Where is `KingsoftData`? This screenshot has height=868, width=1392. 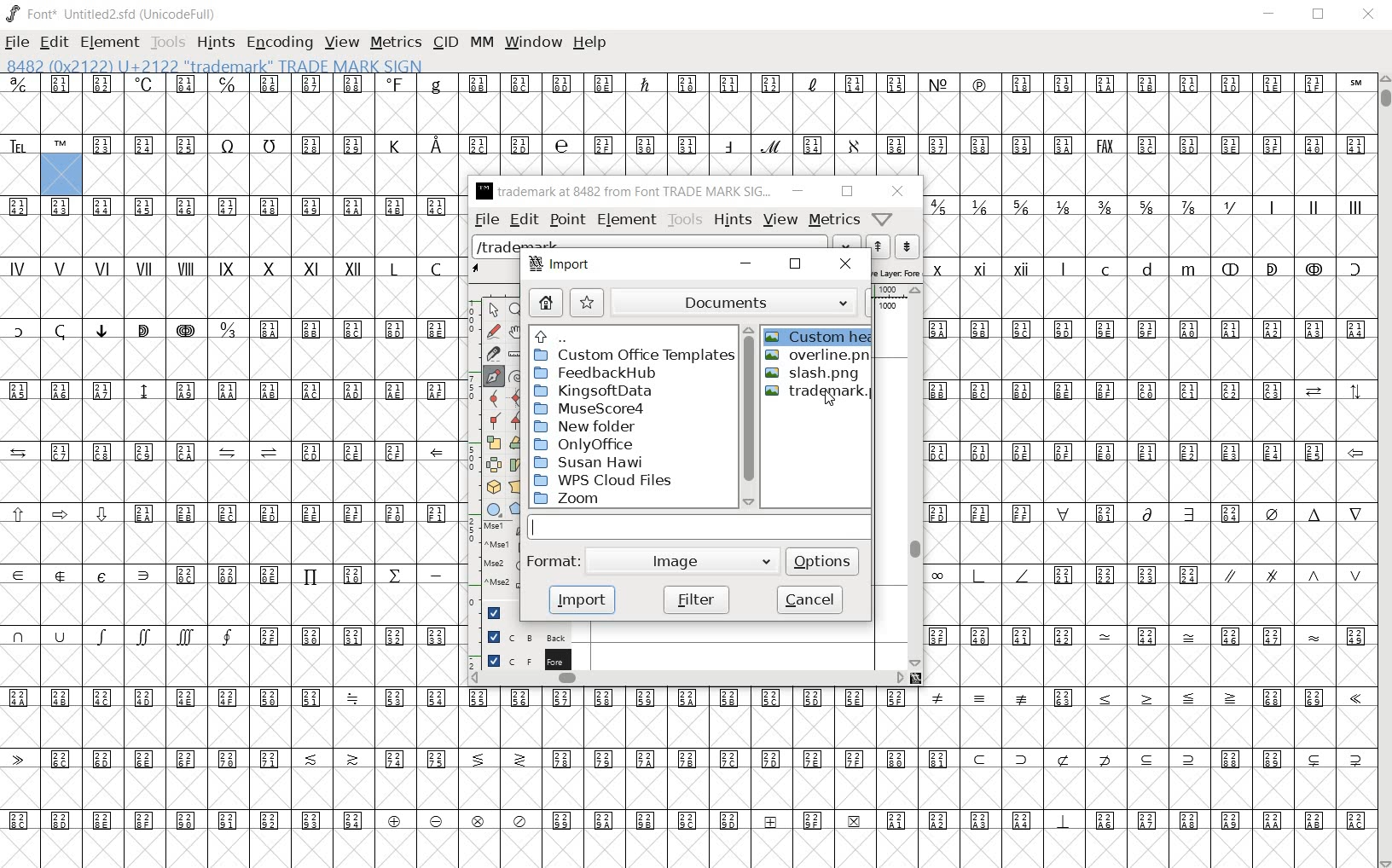 KingsoftData is located at coordinates (593, 391).